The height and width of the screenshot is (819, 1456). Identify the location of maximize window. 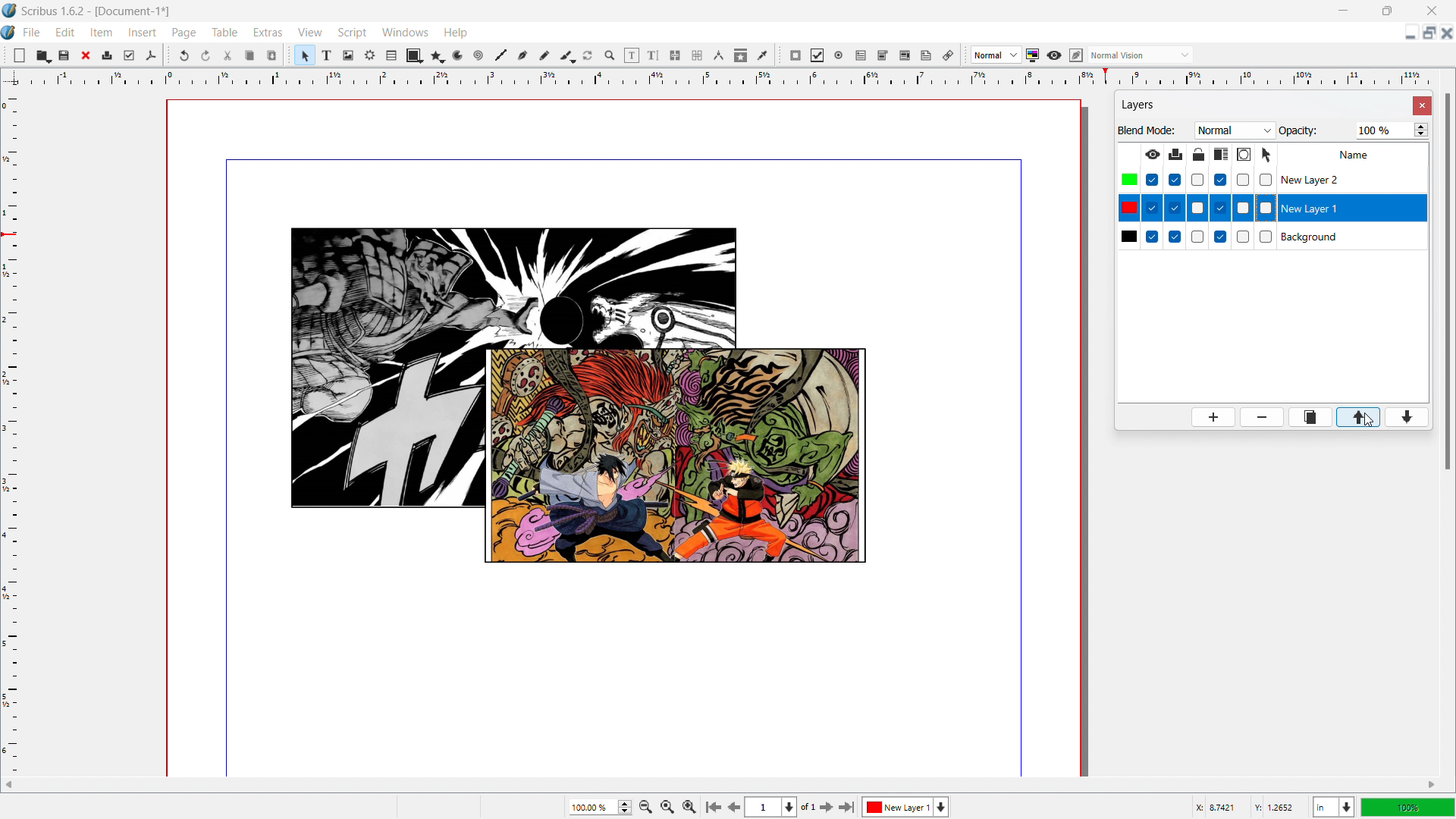
(1385, 10).